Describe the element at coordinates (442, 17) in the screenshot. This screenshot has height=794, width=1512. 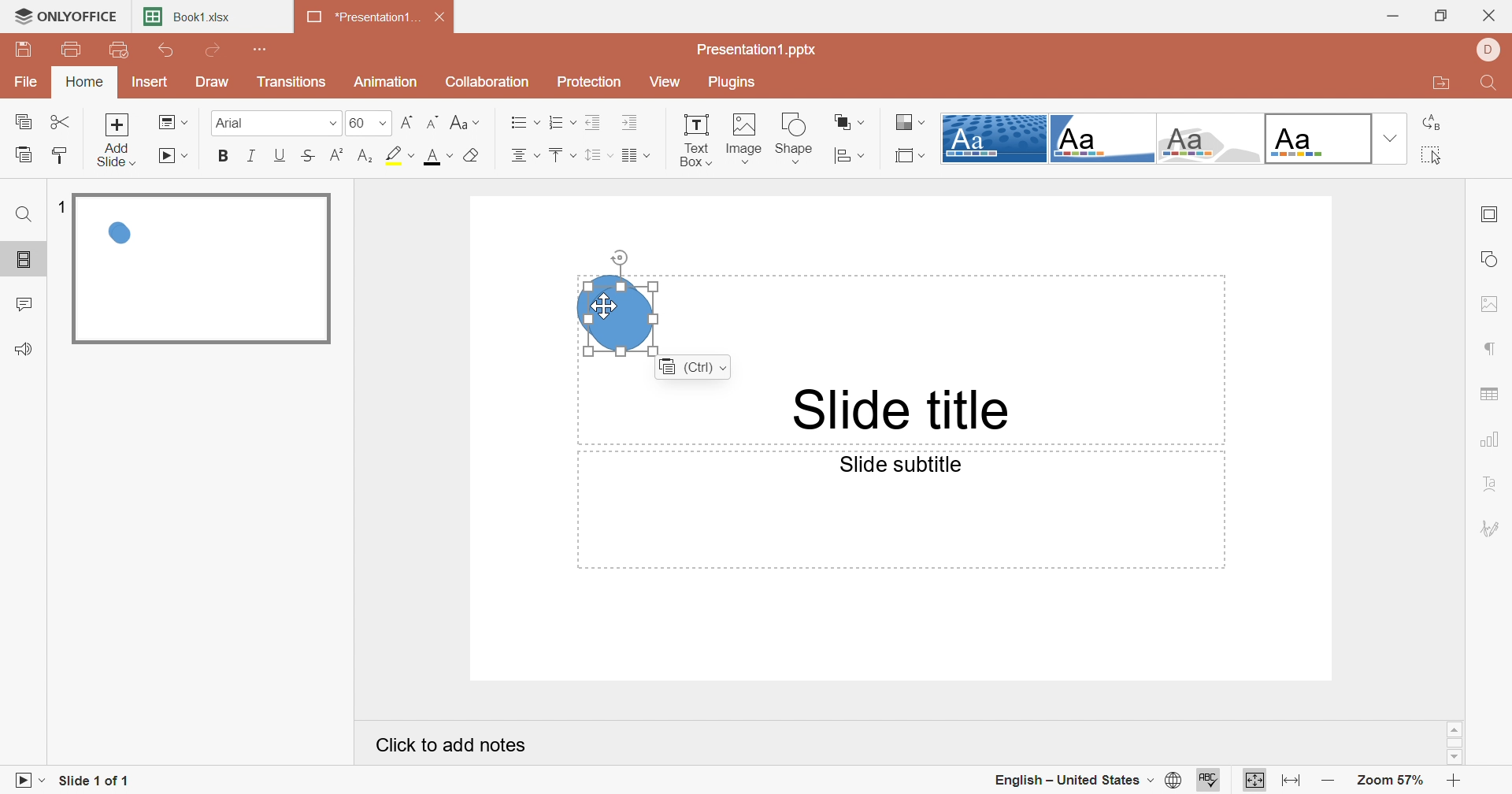
I see `Close` at that location.